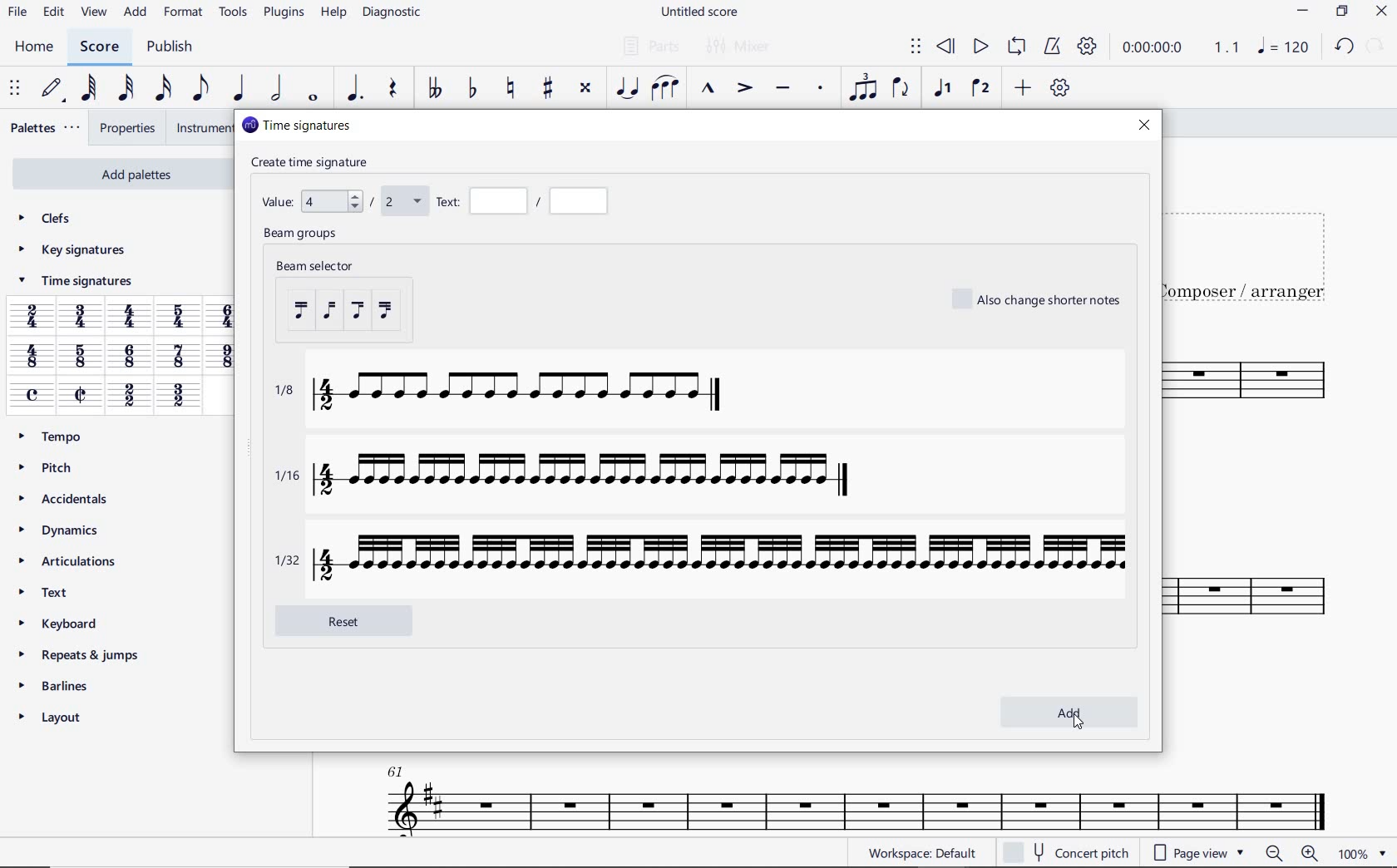  I want to click on VOICE 2, so click(980, 89).